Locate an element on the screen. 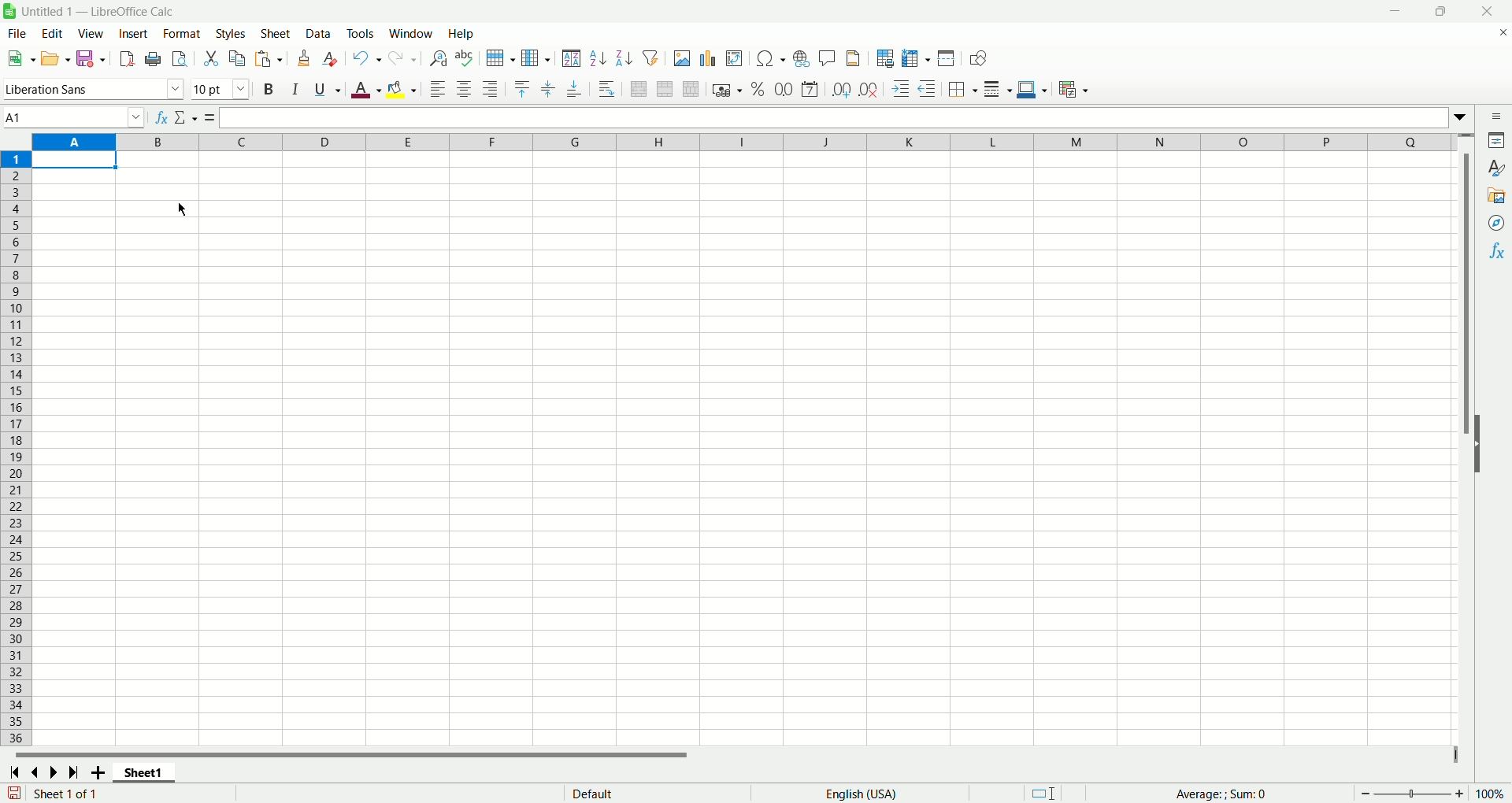 The height and width of the screenshot is (803, 1512). border is located at coordinates (963, 89).